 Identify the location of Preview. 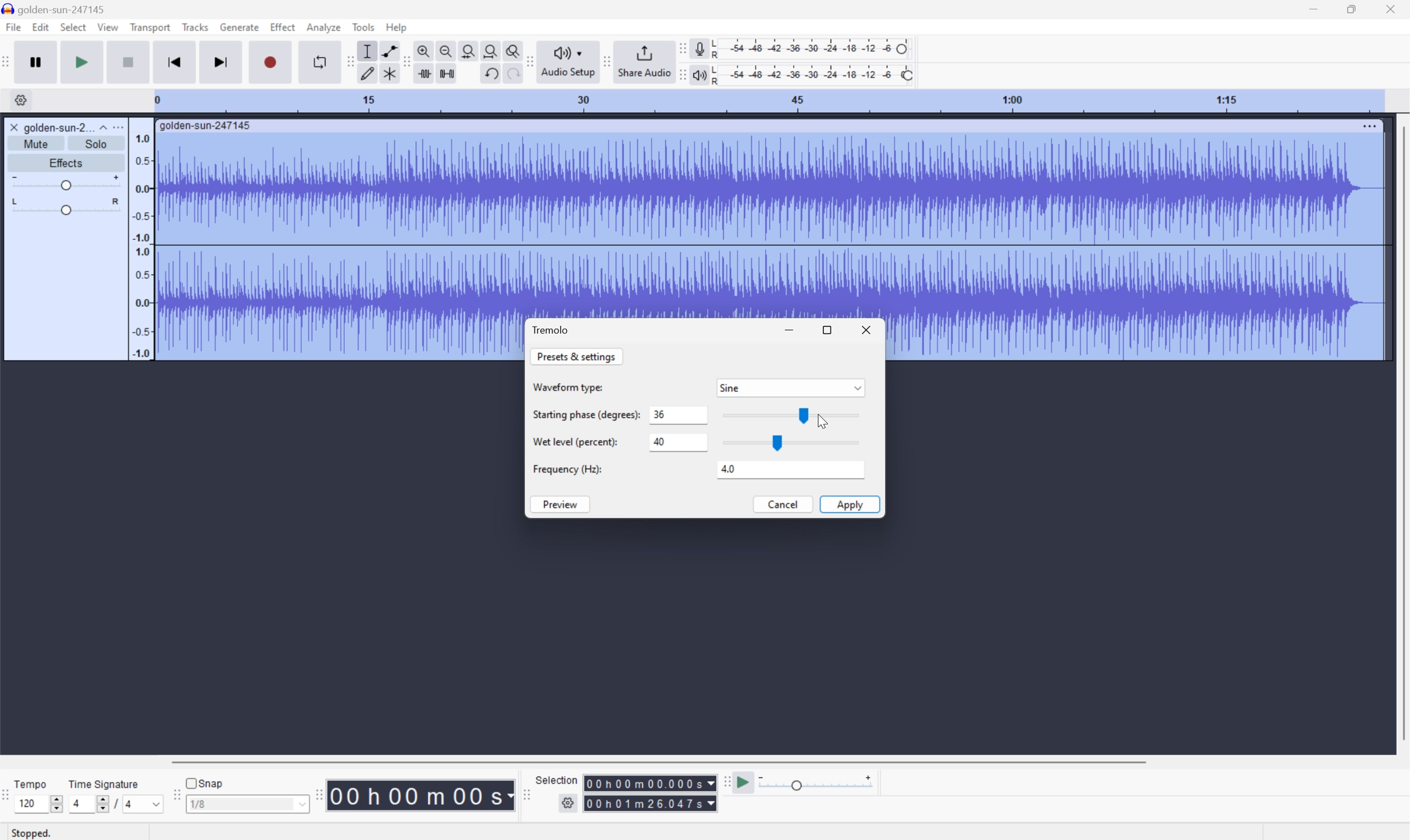
(559, 506).